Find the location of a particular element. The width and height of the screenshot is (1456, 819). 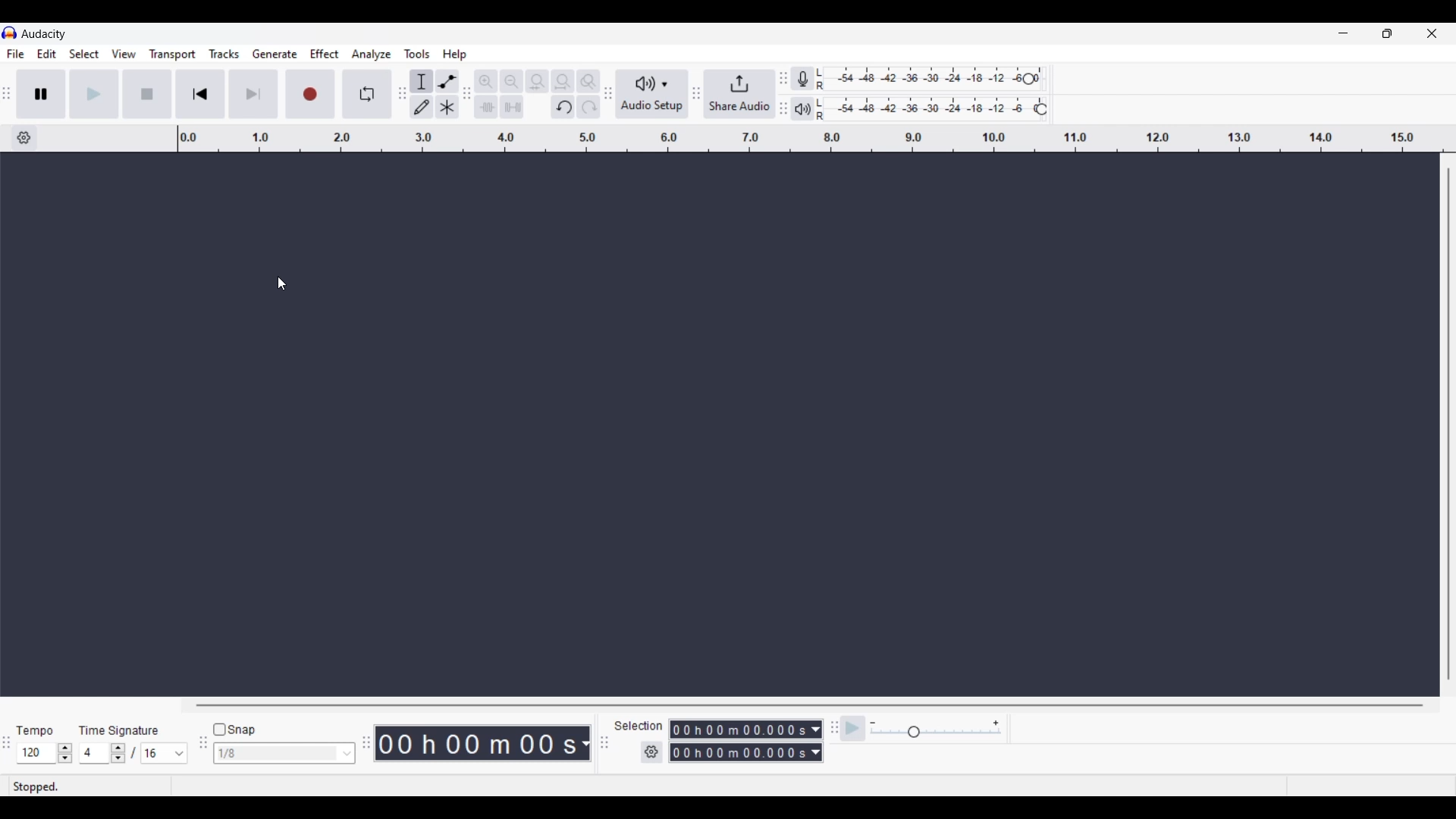

View menu is located at coordinates (124, 54).